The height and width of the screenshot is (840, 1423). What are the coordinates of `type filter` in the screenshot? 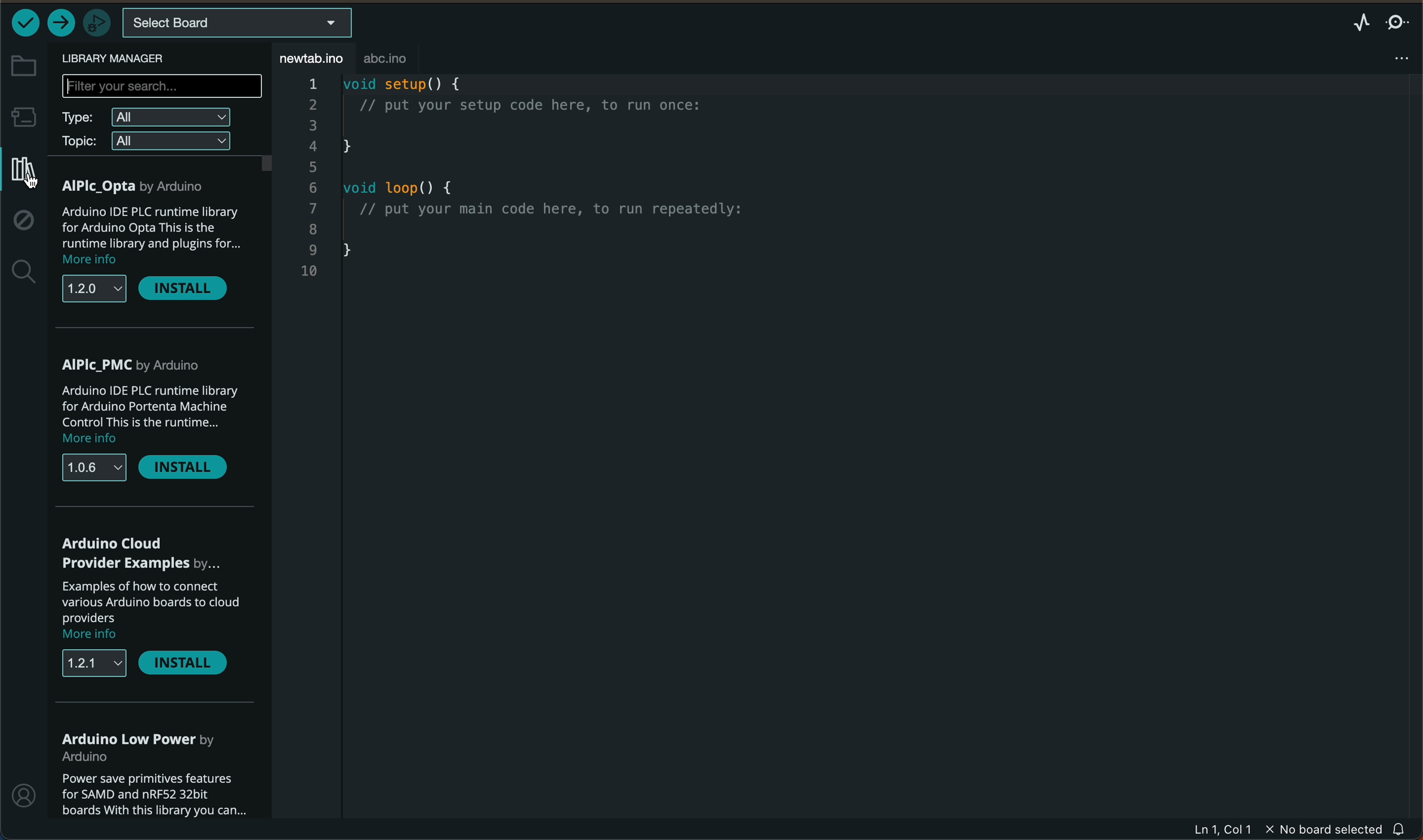 It's located at (151, 118).